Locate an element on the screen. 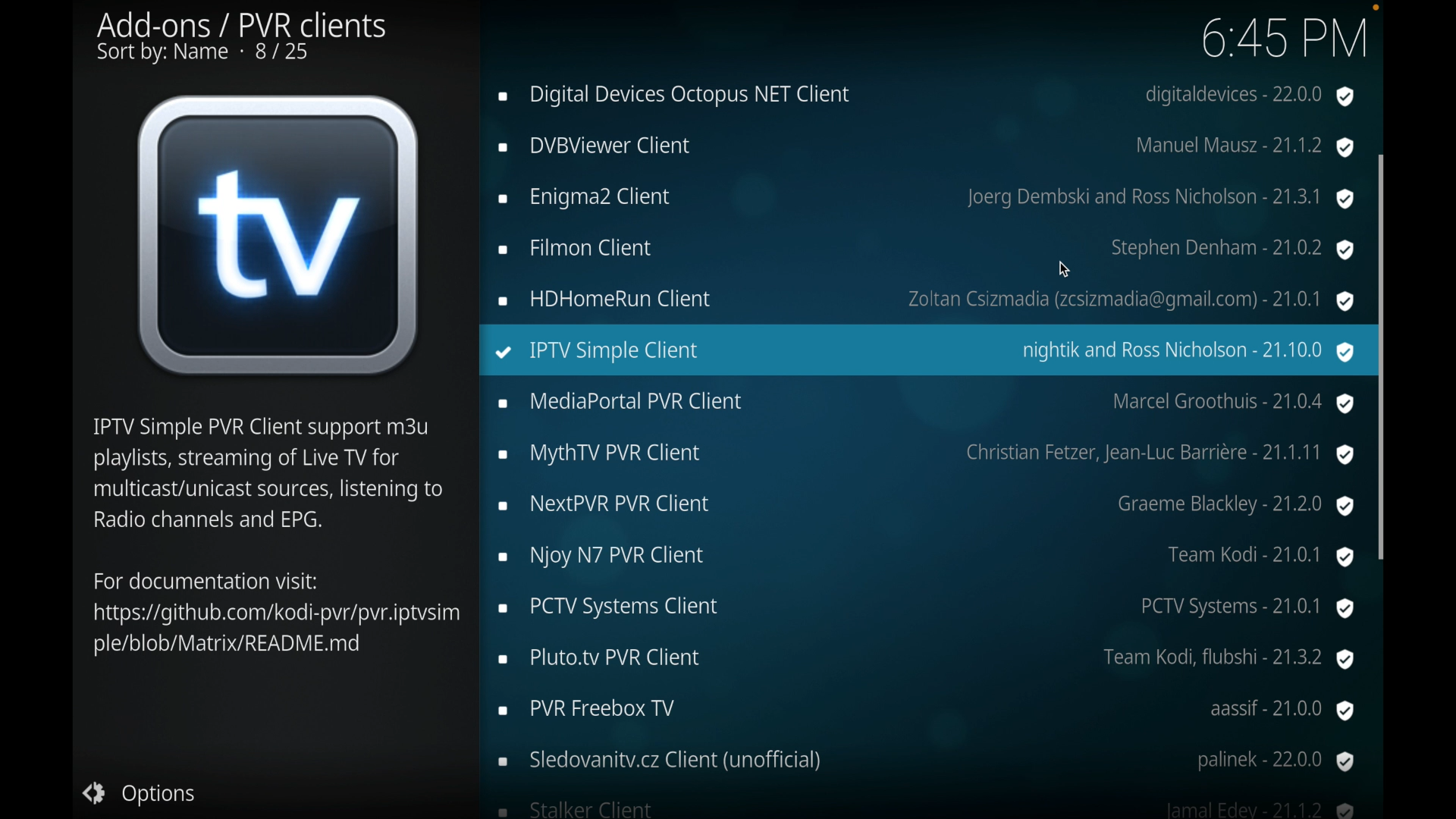  iptv simple client is located at coordinates (924, 353).